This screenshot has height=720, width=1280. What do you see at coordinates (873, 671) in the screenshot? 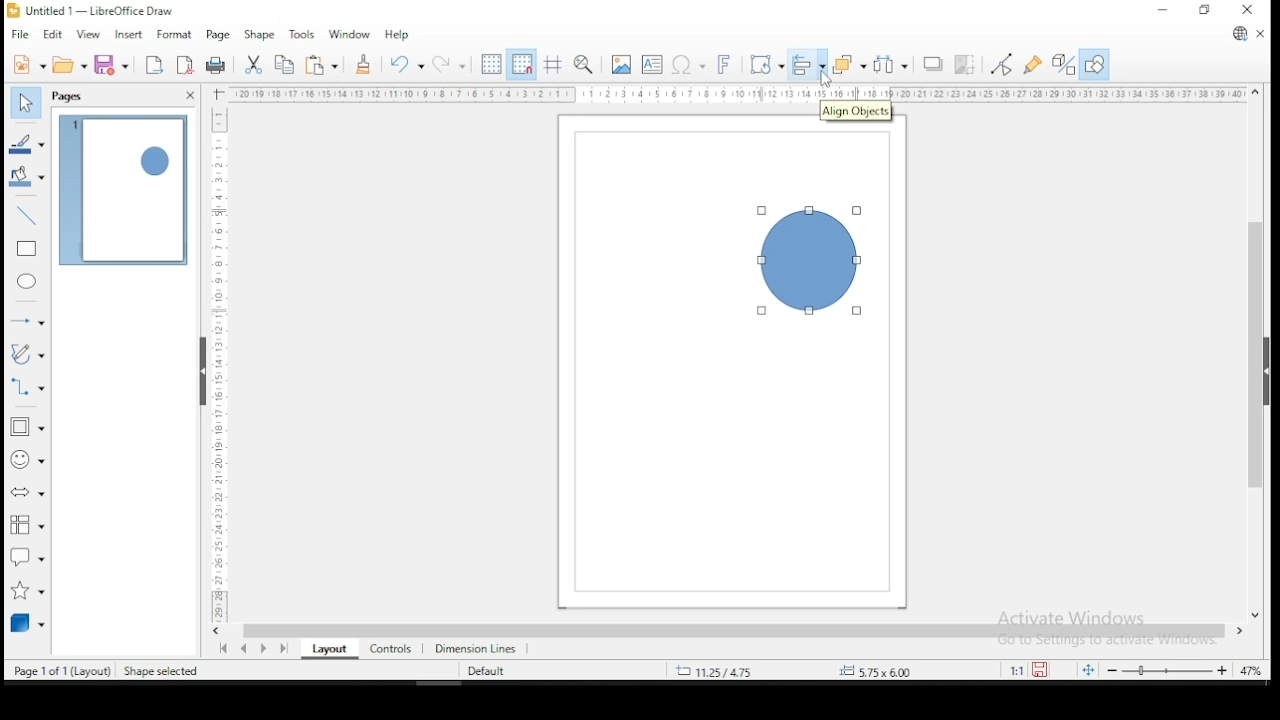
I see `5.75x6.00` at bounding box center [873, 671].